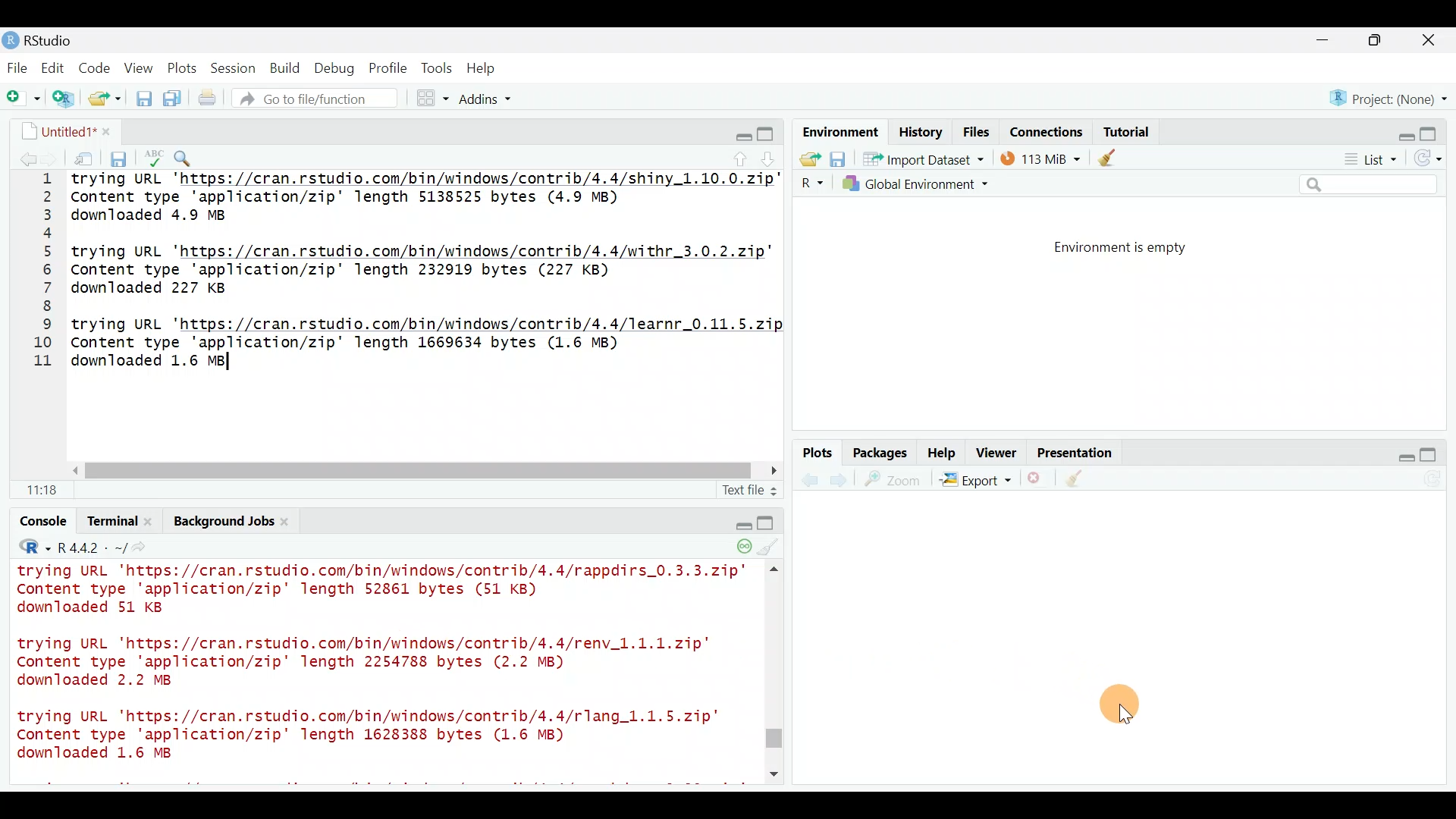 The image size is (1456, 819). What do you see at coordinates (140, 67) in the screenshot?
I see `View` at bounding box center [140, 67].